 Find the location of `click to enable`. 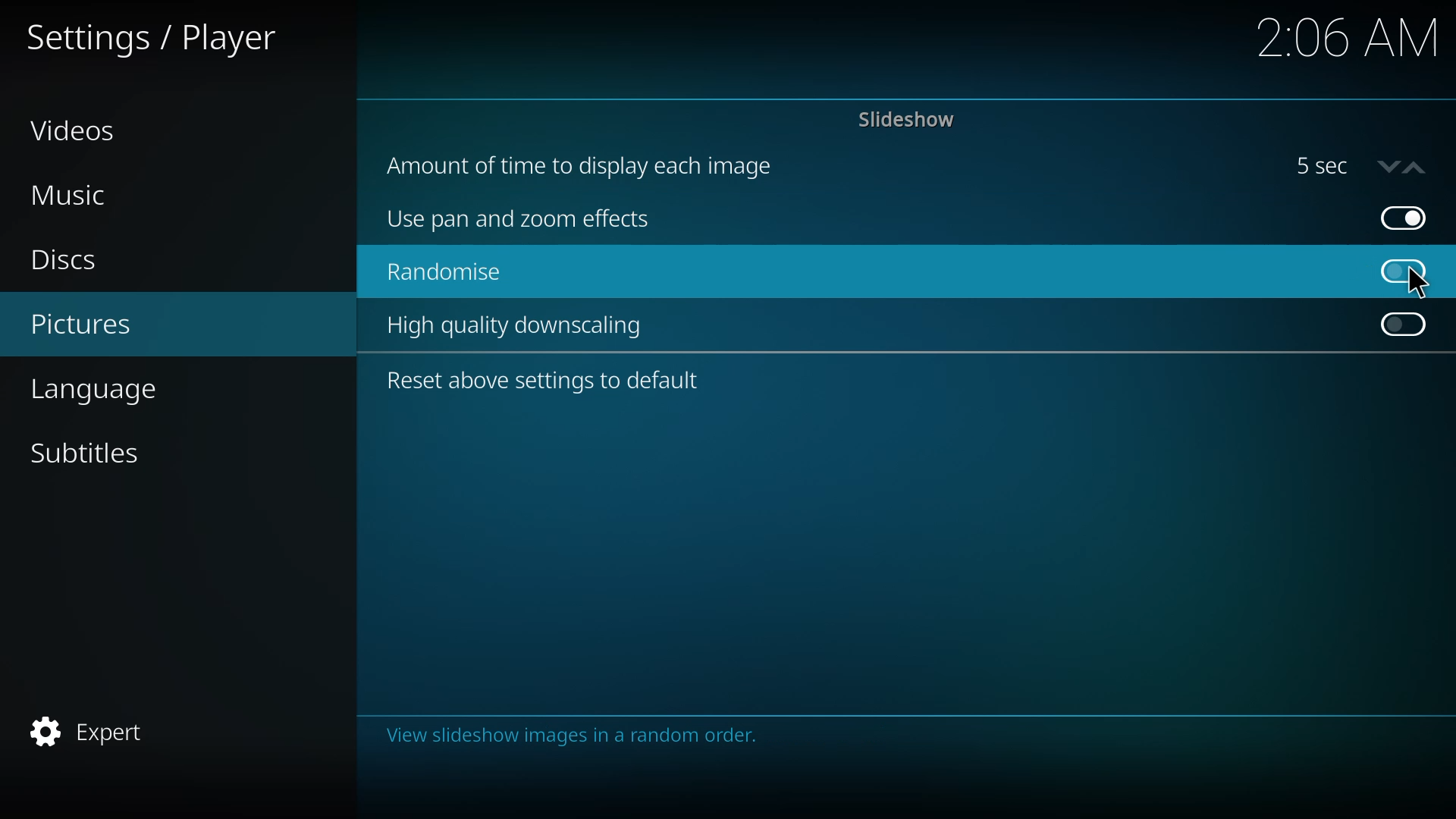

click to enable is located at coordinates (1409, 326).